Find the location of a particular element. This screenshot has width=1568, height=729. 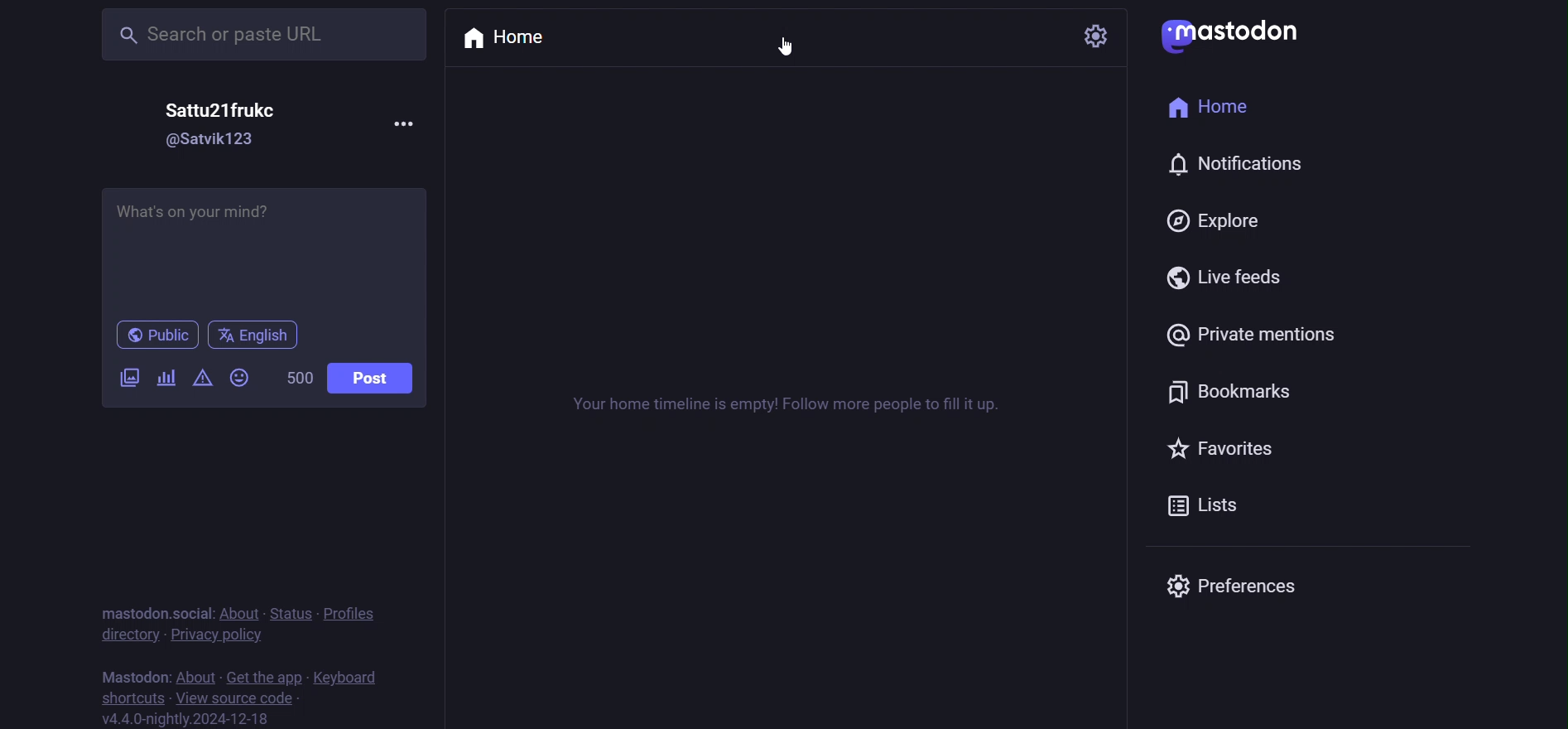

explore is located at coordinates (1217, 220).